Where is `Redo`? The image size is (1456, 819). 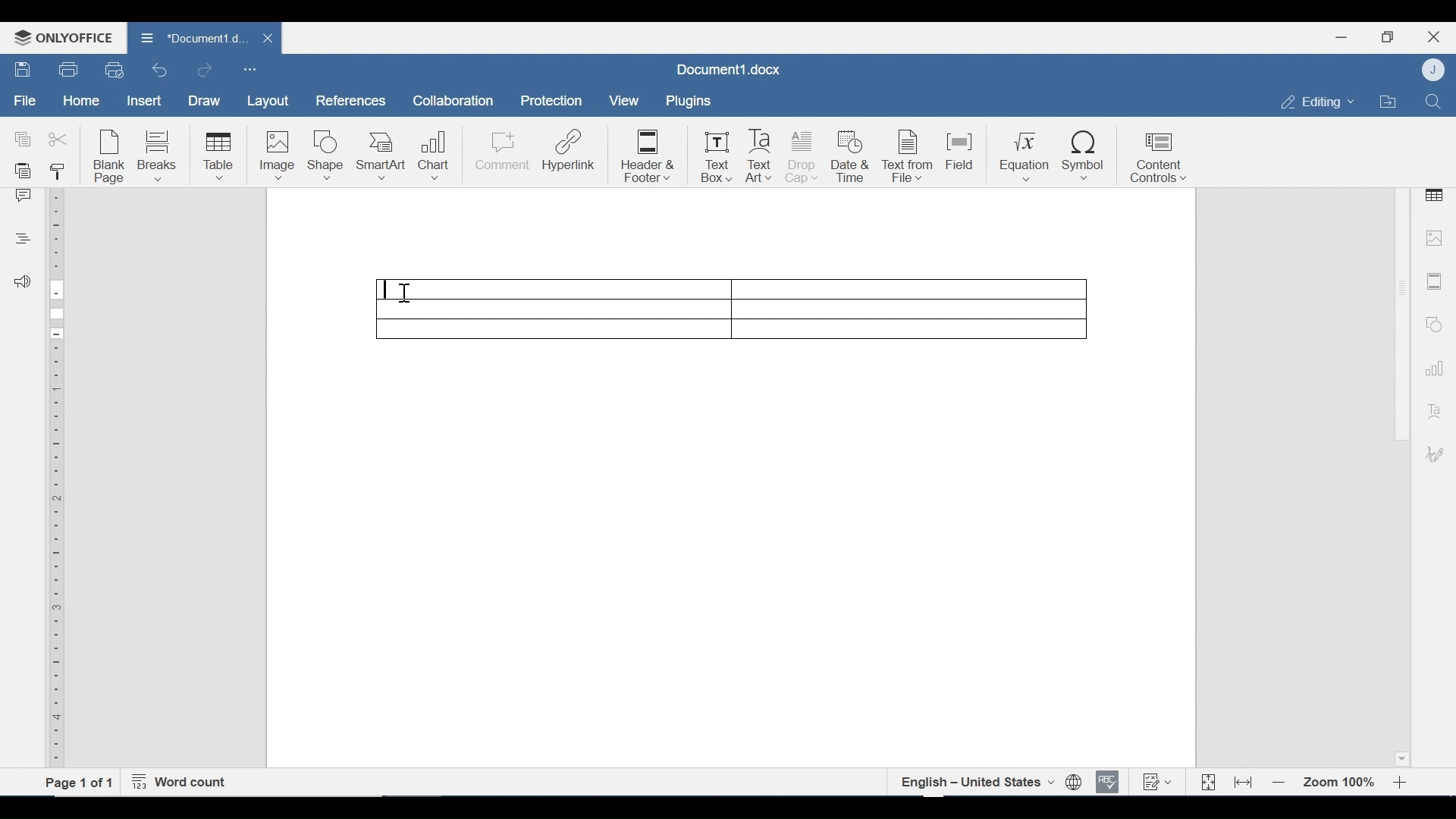
Redo is located at coordinates (204, 71).